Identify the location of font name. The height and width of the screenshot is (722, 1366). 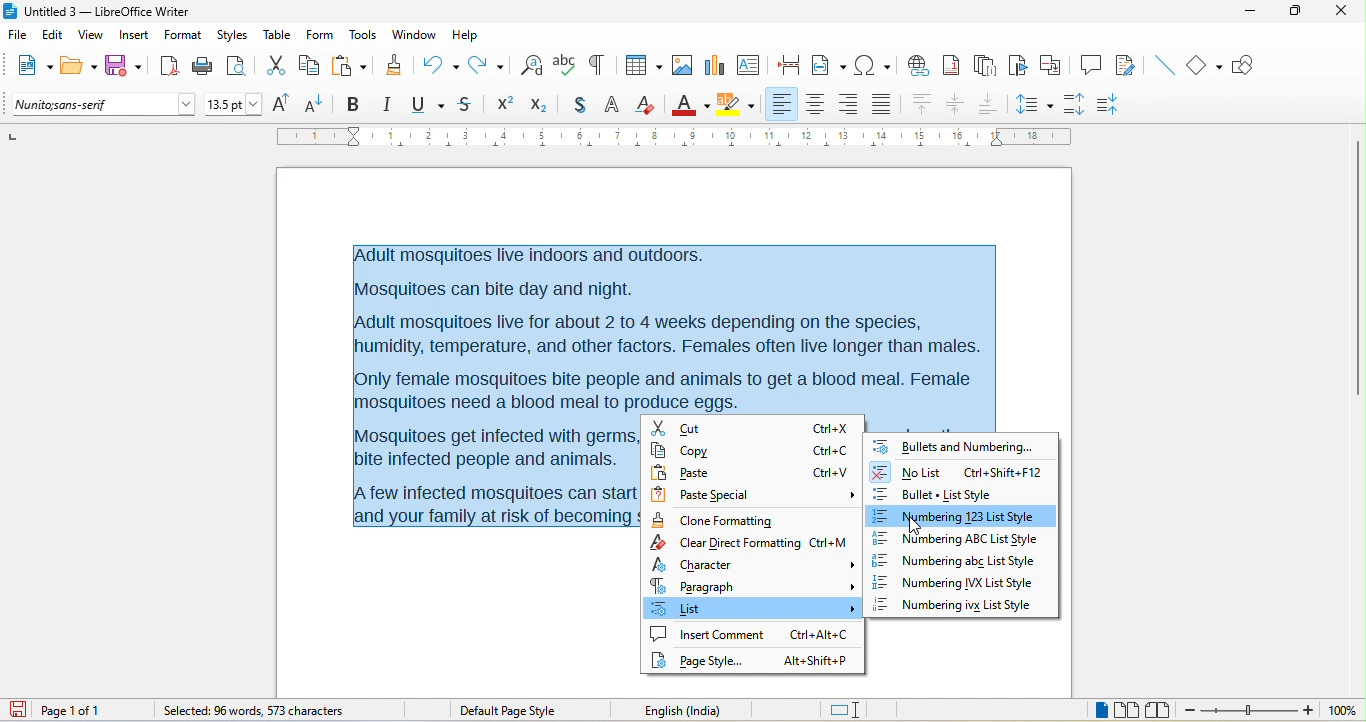
(103, 105).